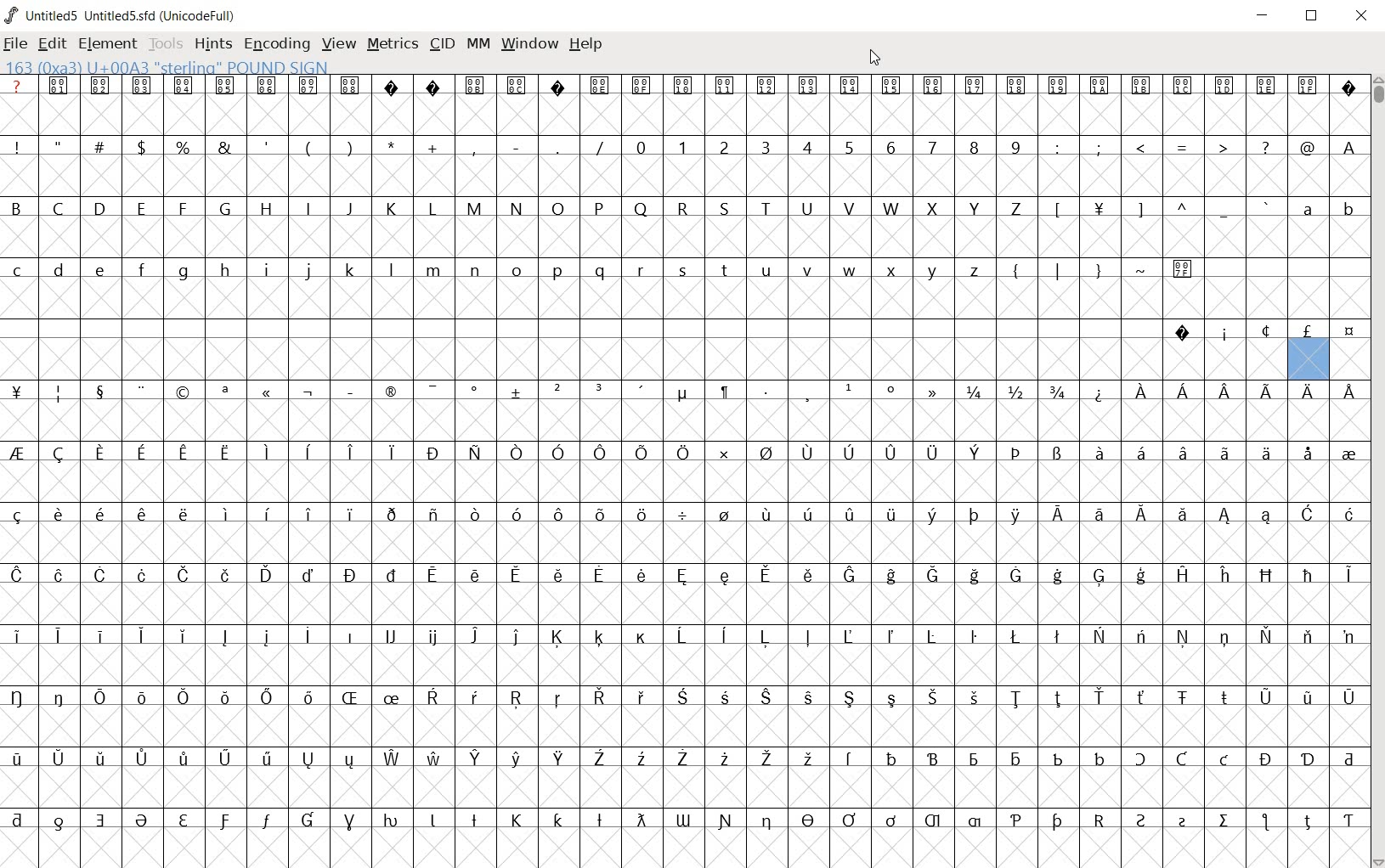 The height and width of the screenshot is (868, 1385). What do you see at coordinates (20, 515) in the screenshot?
I see `Symbol` at bounding box center [20, 515].